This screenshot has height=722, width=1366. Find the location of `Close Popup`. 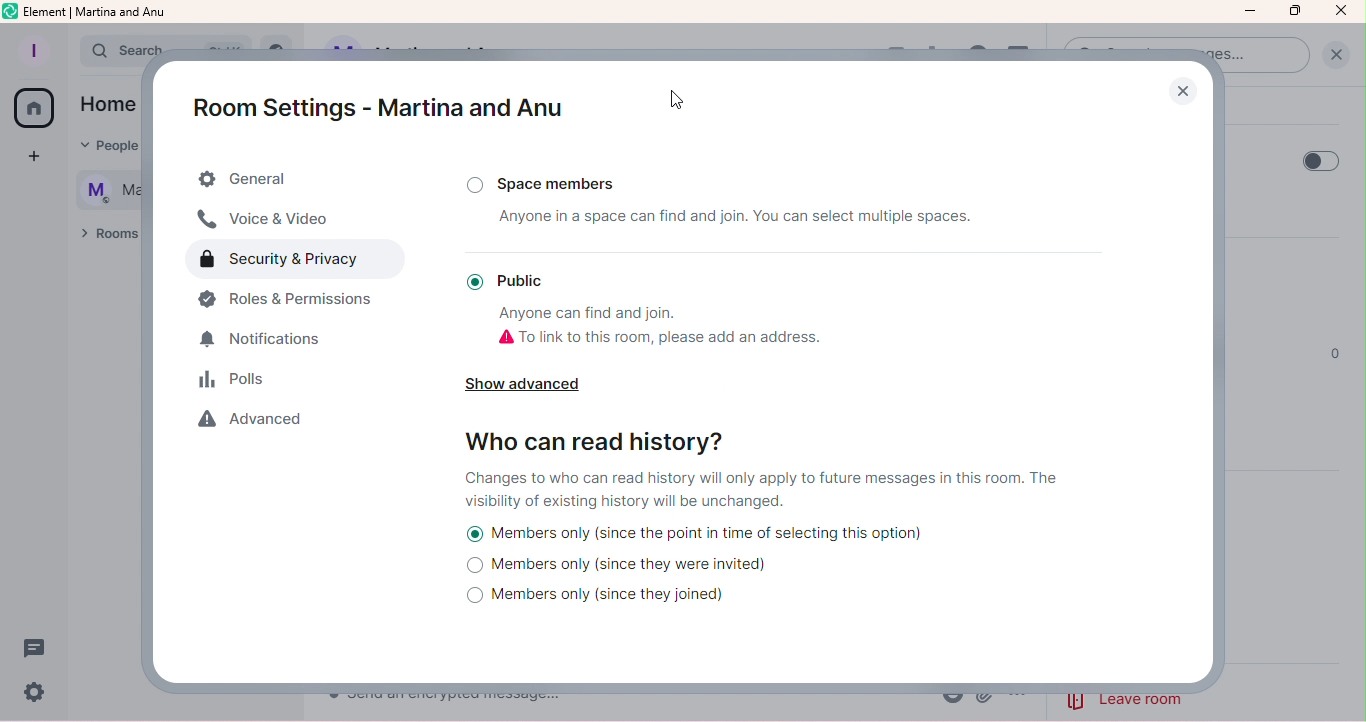

Close Popup is located at coordinates (1182, 93).